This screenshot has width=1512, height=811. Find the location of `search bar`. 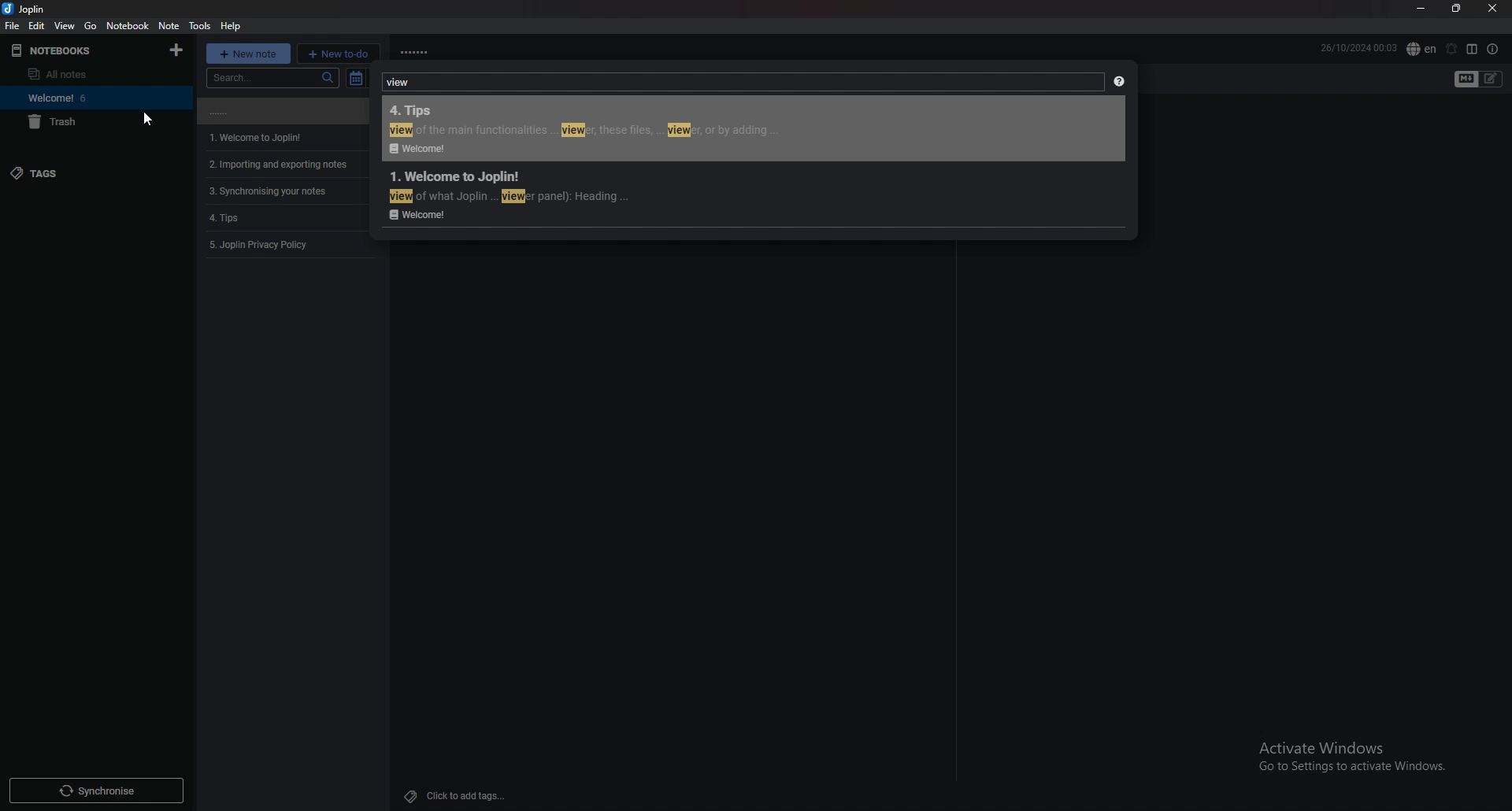

search bar is located at coordinates (276, 77).